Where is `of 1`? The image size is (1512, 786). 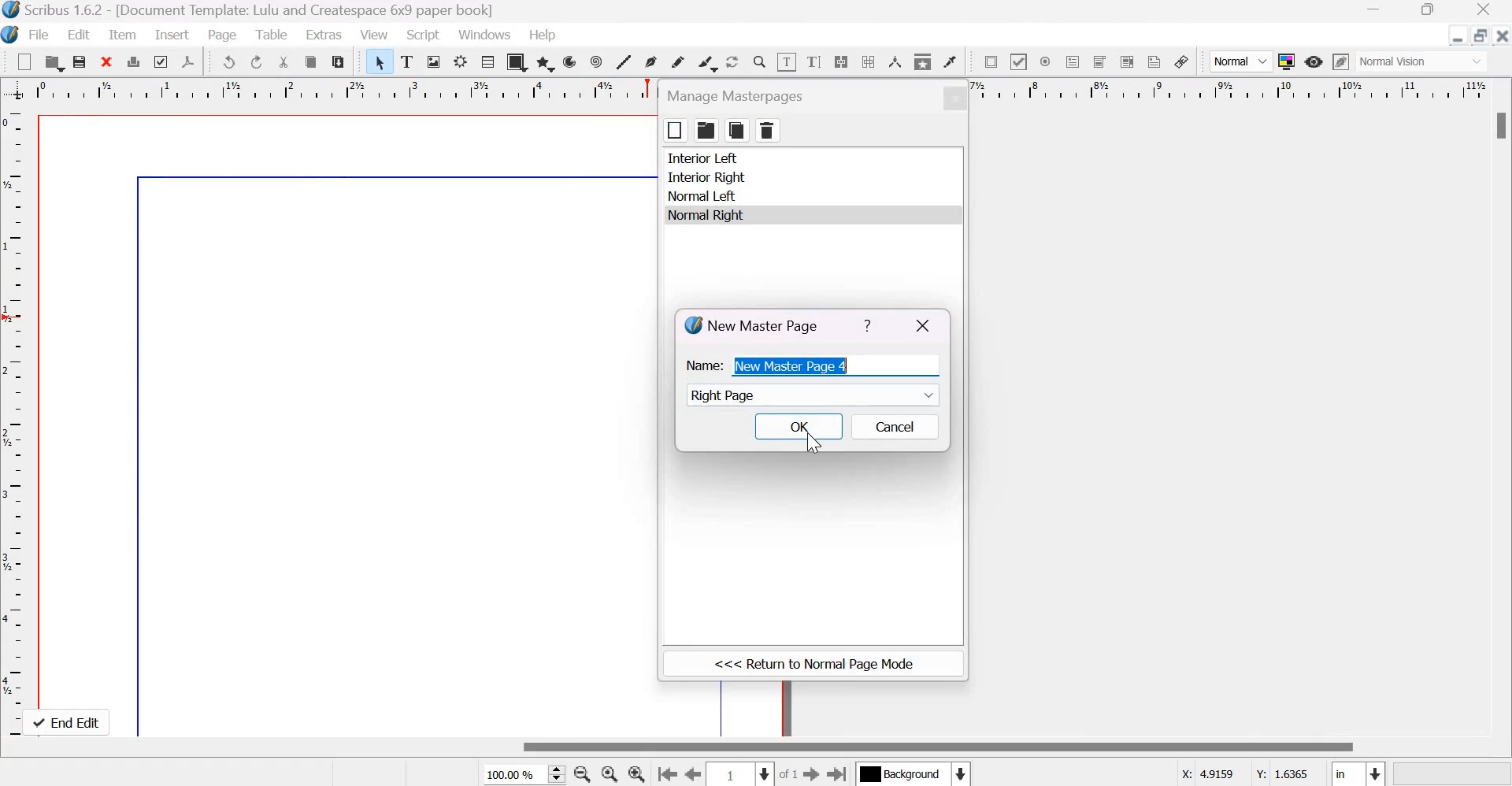 of 1 is located at coordinates (788, 773).